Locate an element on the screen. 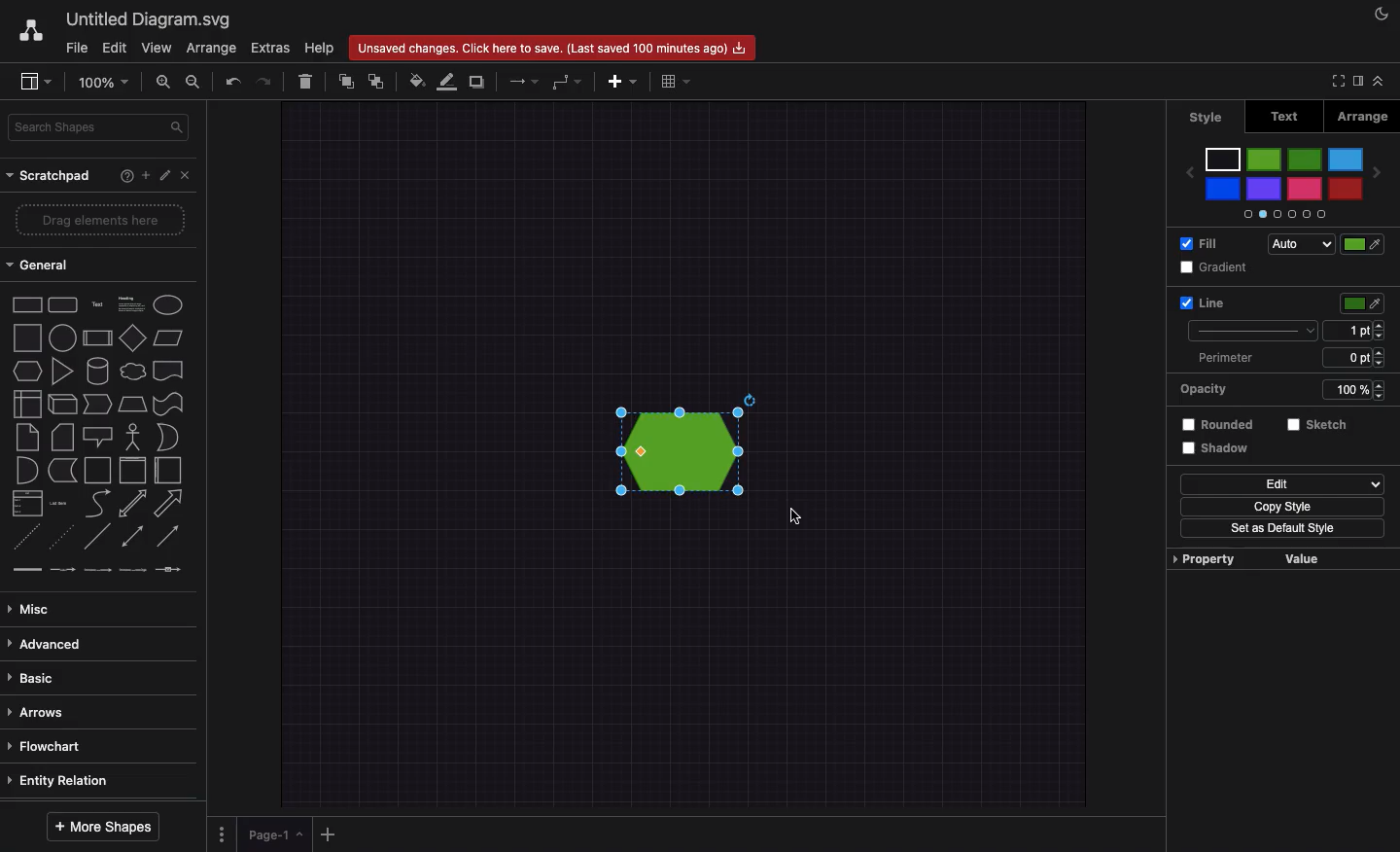  Extras is located at coordinates (271, 47).